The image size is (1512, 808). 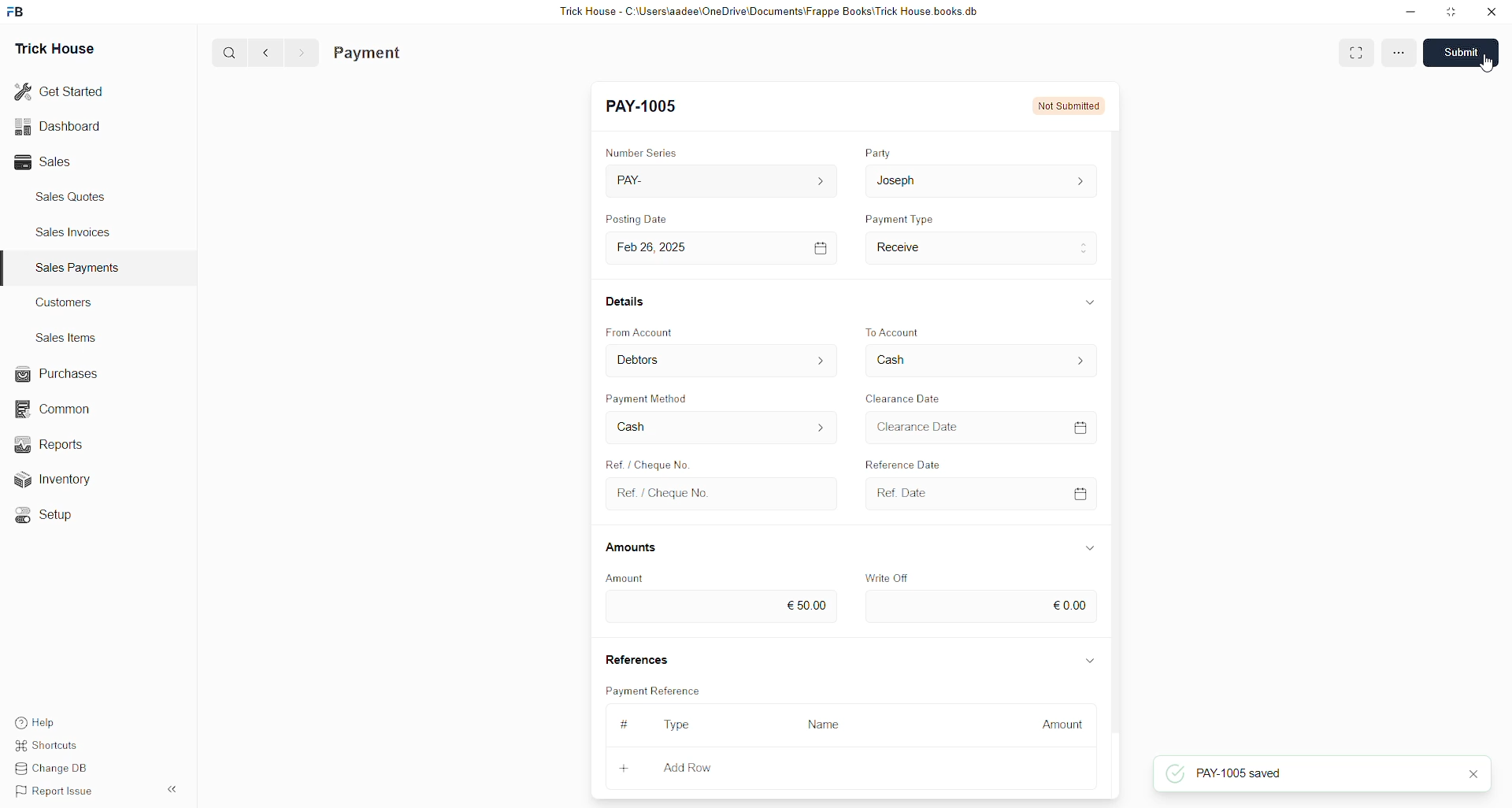 What do you see at coordinates (57, 129) in the screenshot?
I see `Dashboard` at bounding box center [57, 129].